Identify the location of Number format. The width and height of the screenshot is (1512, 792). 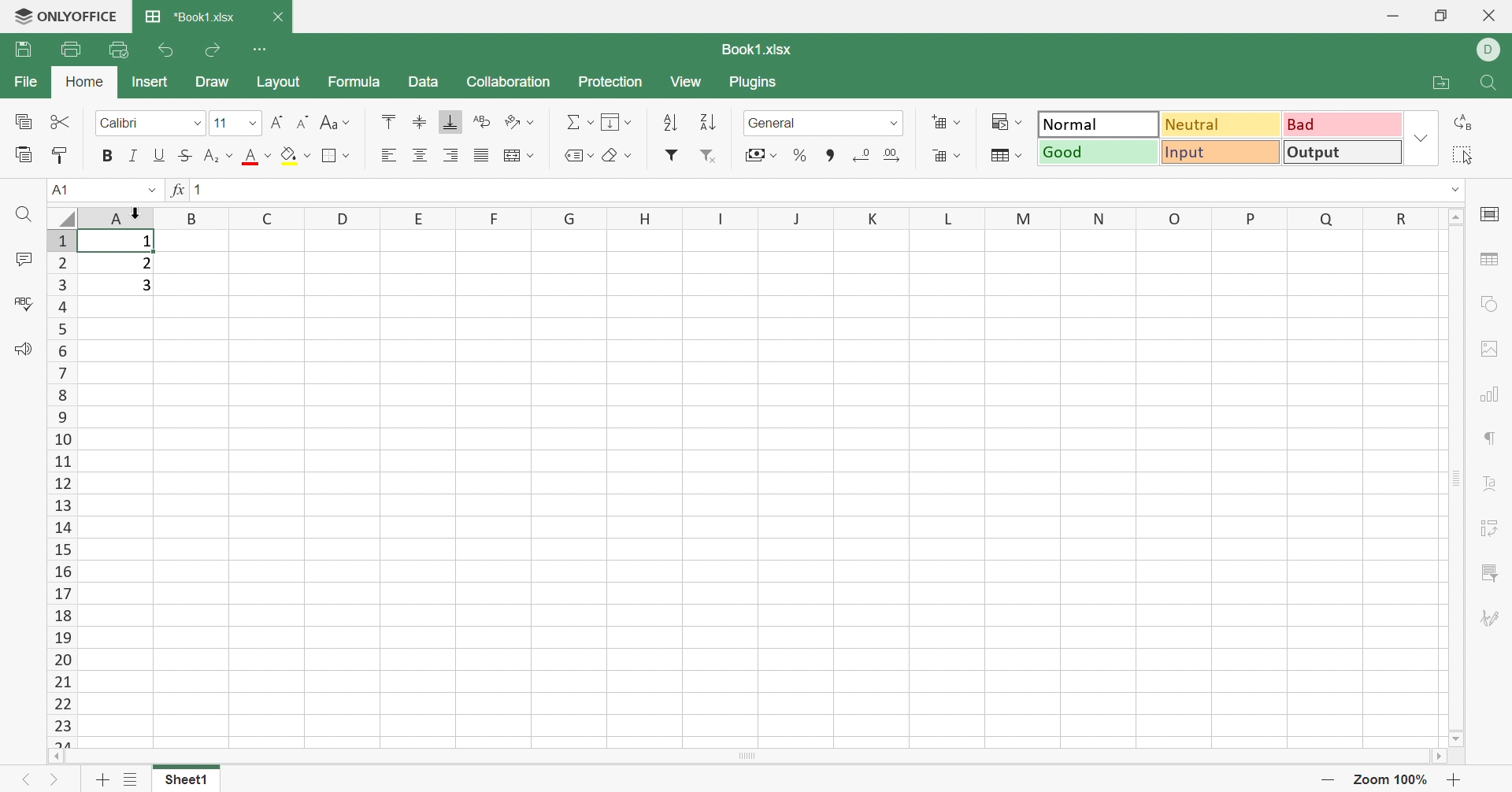
(821, 122).